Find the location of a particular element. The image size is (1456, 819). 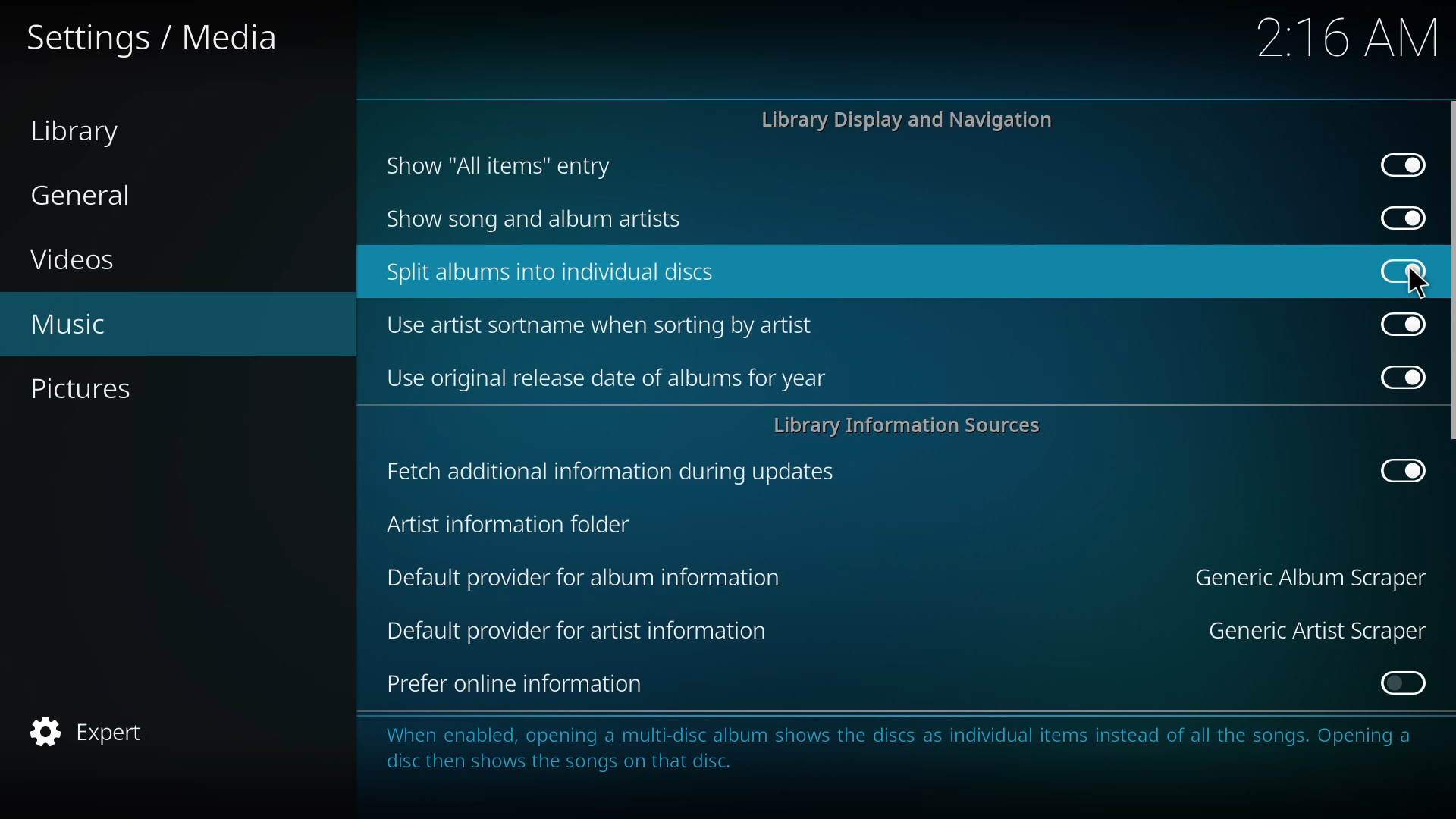

enabled is located at coordinates (1398, 323).